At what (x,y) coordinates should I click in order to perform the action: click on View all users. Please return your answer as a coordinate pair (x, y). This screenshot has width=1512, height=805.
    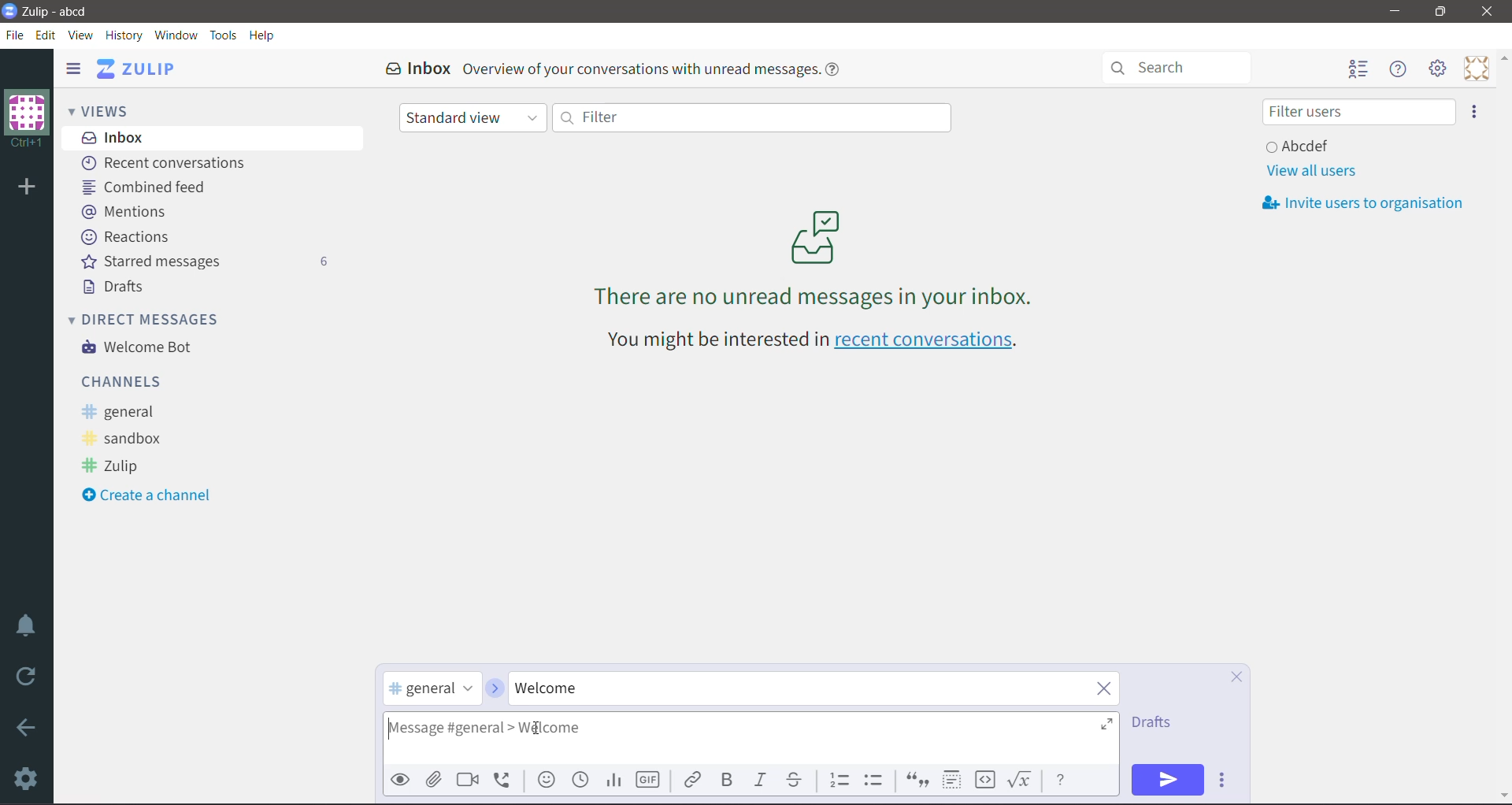
    Looking at the image, I should click on (1310, 171).